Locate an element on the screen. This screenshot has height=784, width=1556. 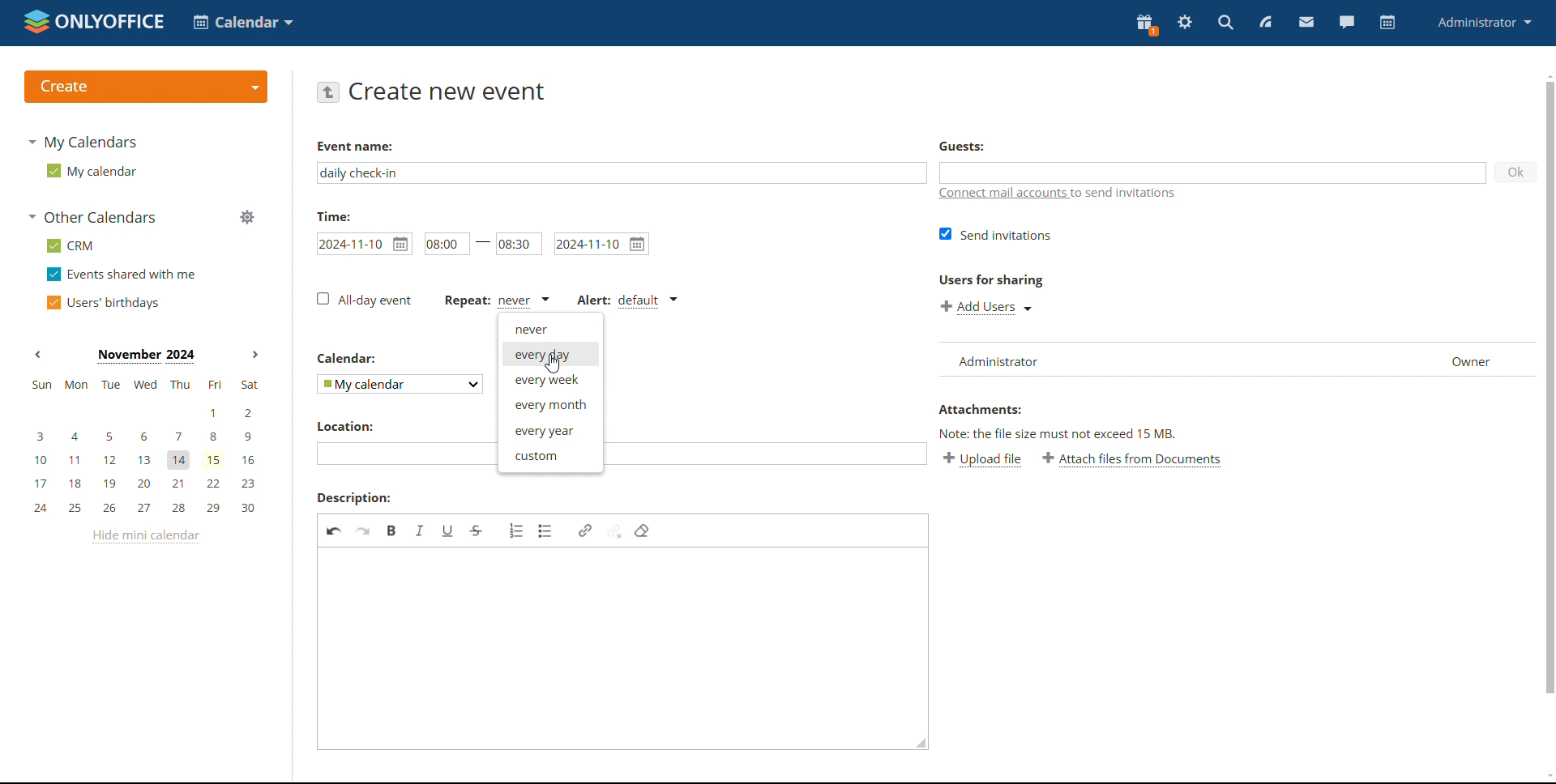
guest: is located at coordinates (977, 144).